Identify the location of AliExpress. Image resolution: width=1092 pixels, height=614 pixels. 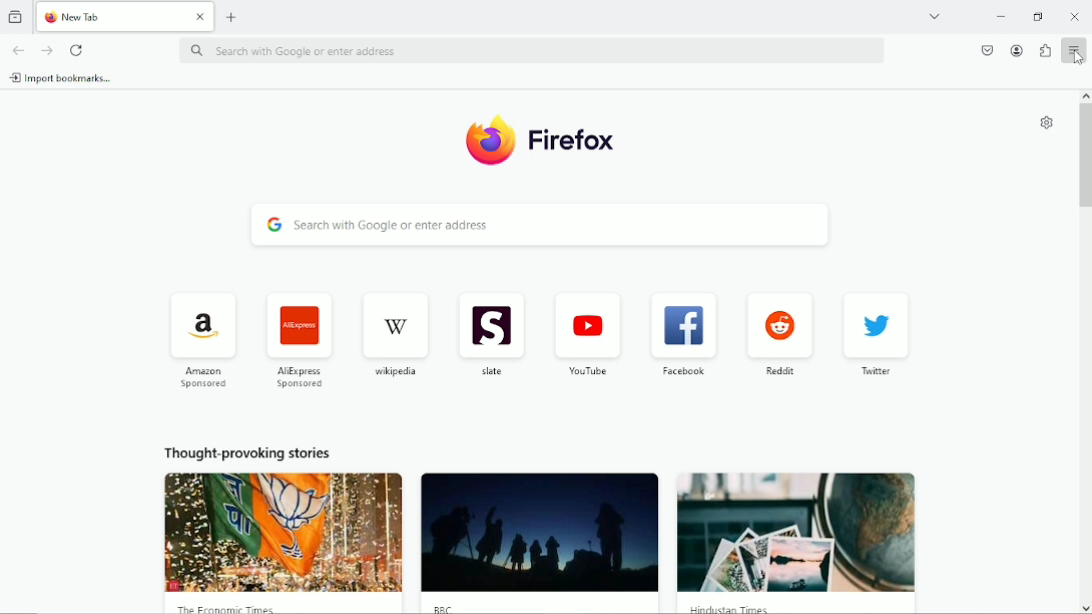
(301, 377).